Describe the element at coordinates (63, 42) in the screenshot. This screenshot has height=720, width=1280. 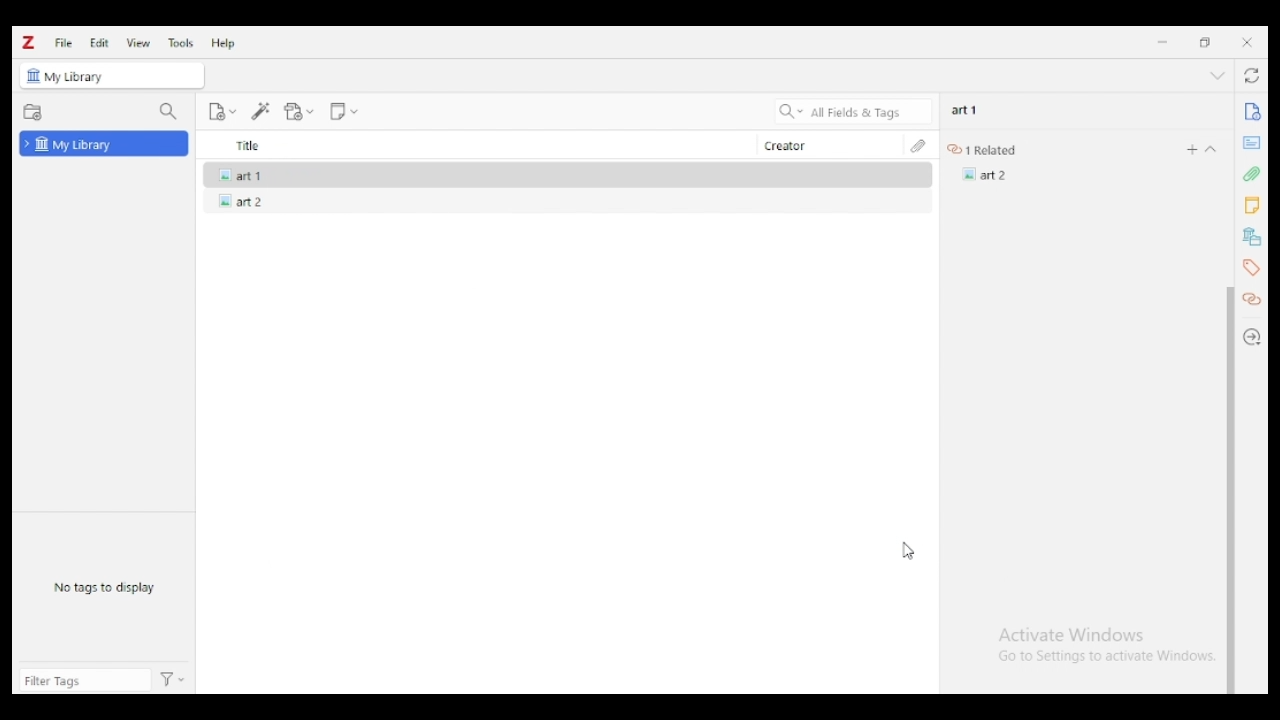
I see `file` at that location.